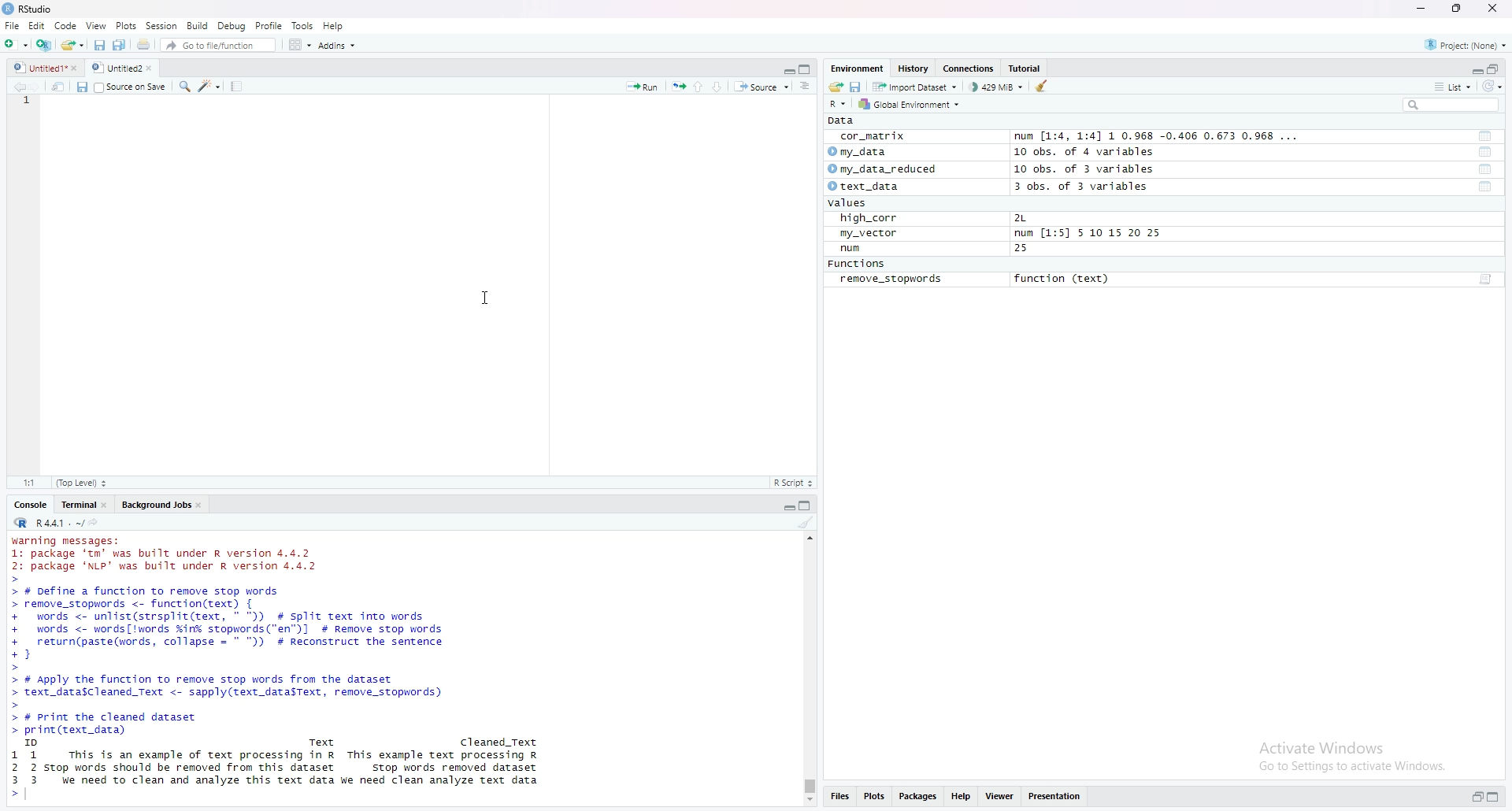 This screenshot has height=811, width=1512. Describe the element at coordinates (867, 186) in the screenshot. I see `text_data` at that location.